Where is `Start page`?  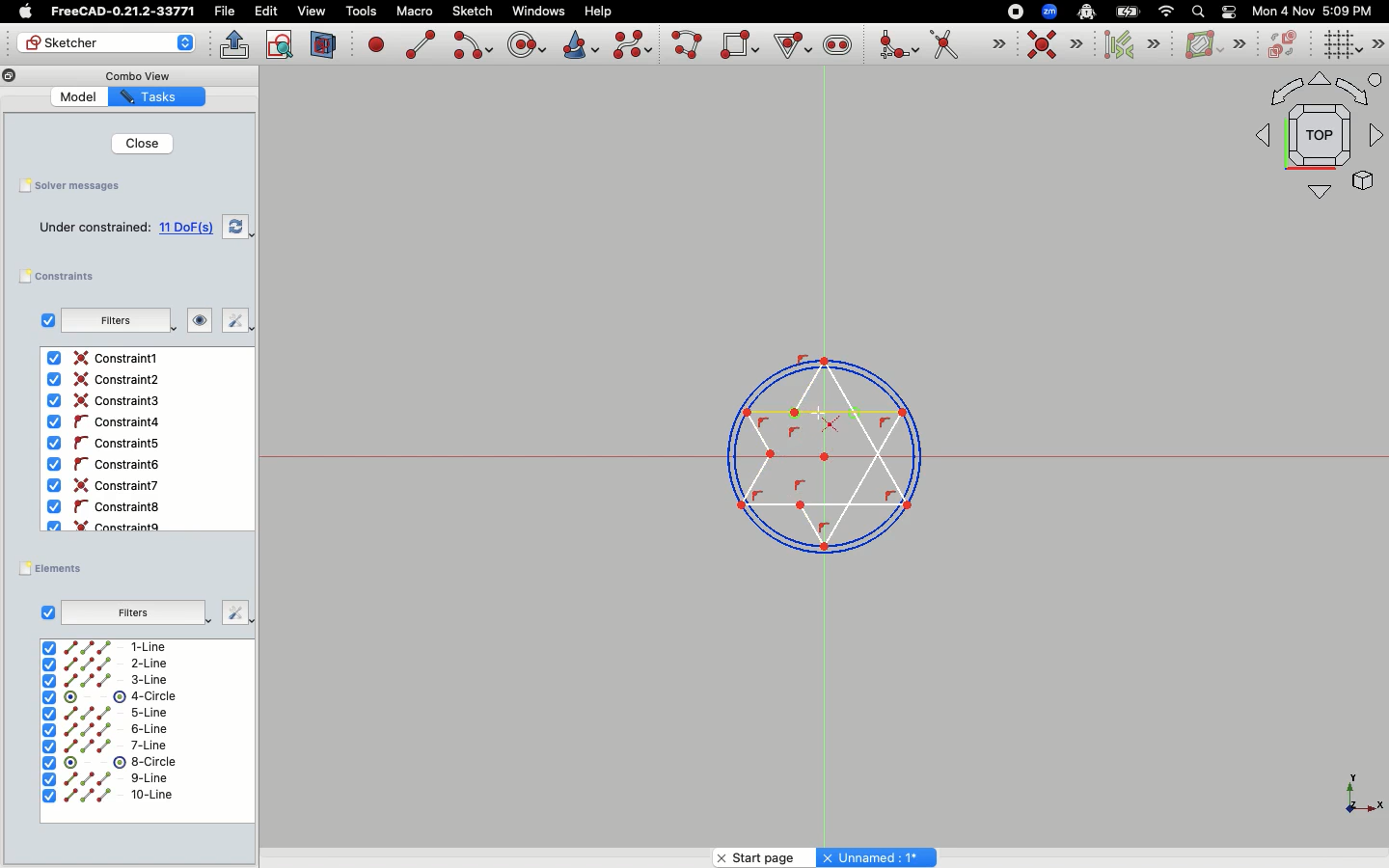 Start page is located at coordinates (760, 854).